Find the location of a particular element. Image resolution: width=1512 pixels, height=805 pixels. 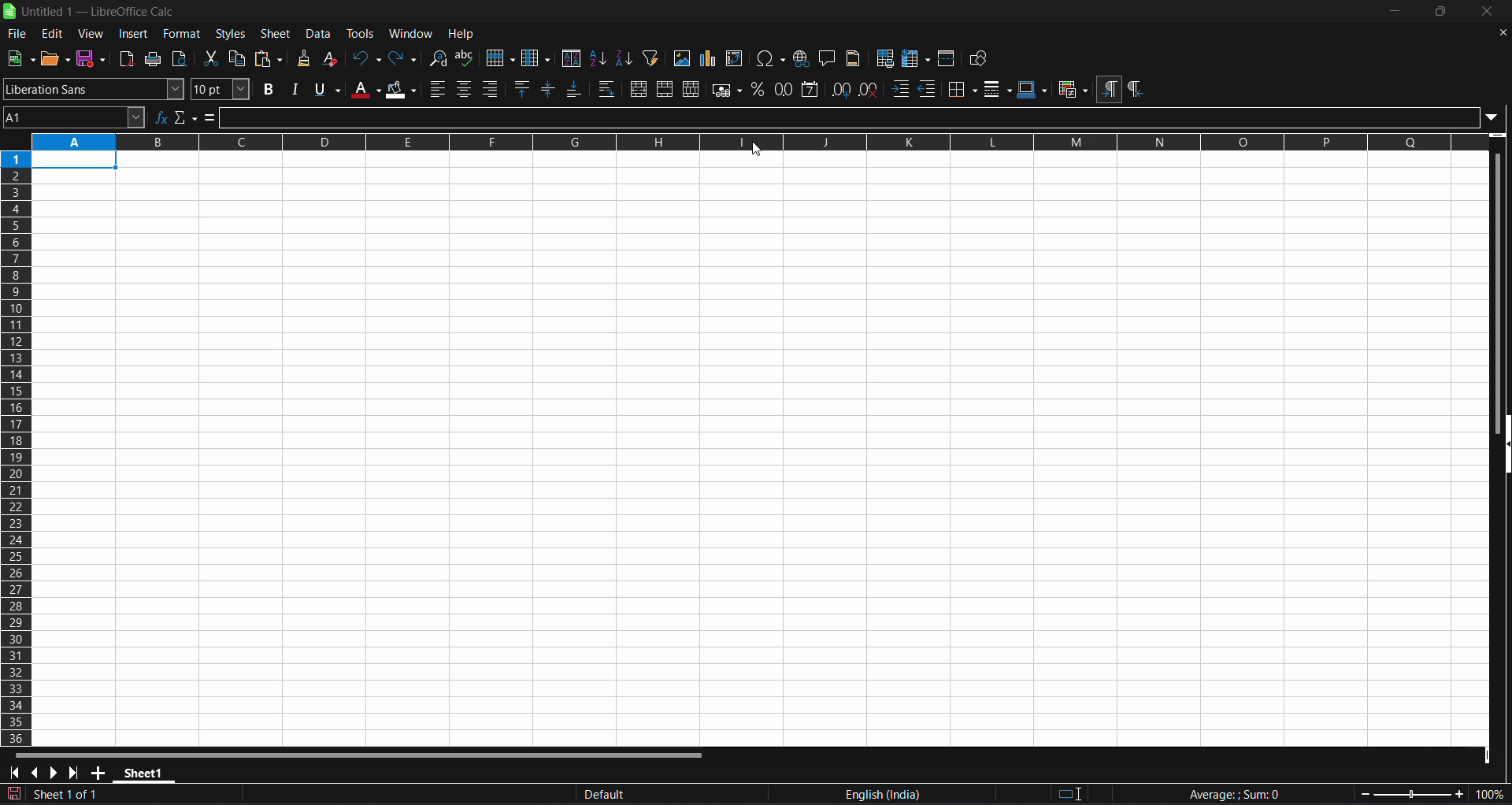

italic is located at coordinates (295, 90).